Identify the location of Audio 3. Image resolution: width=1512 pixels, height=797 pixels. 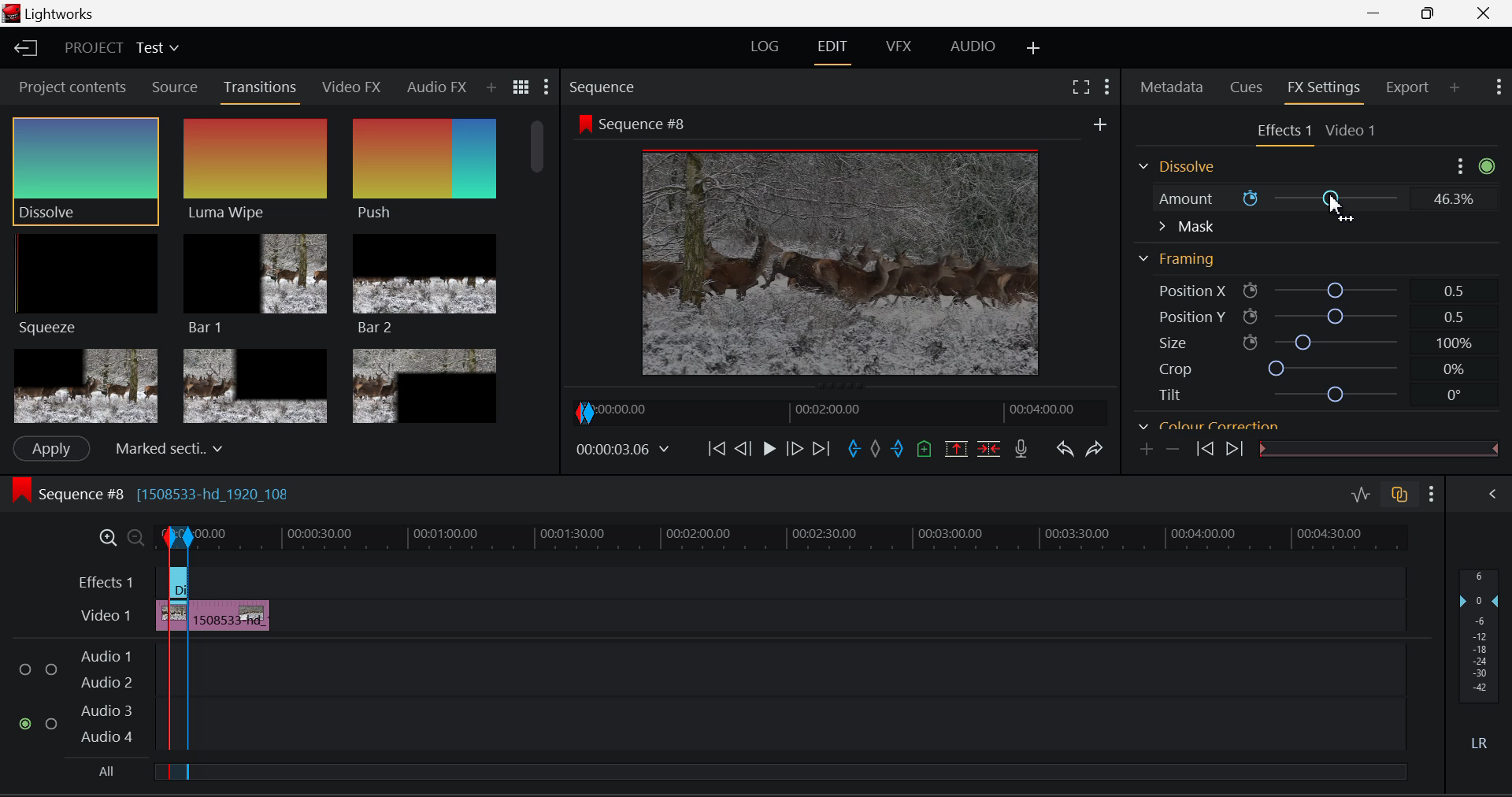
(105, 710).